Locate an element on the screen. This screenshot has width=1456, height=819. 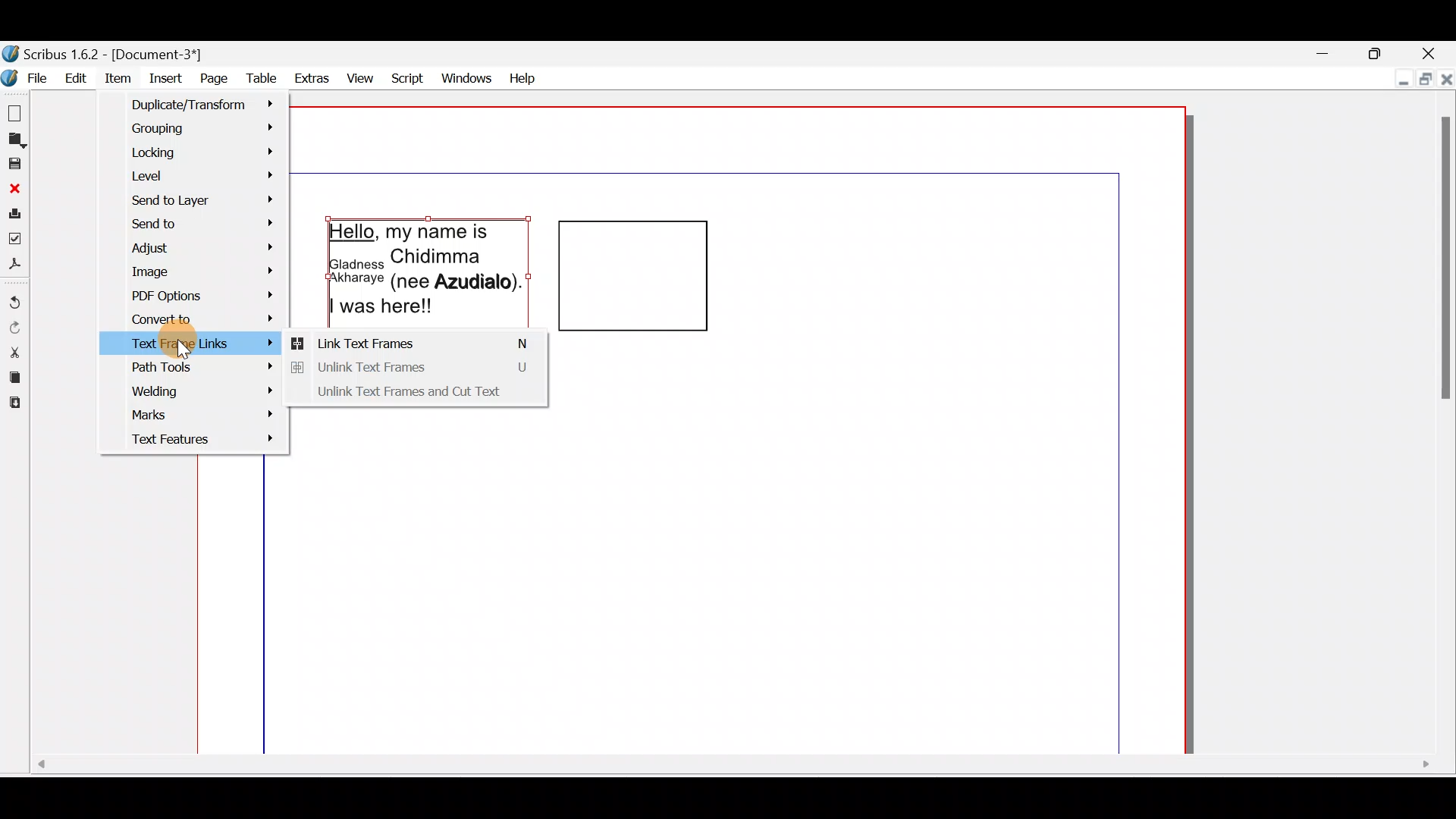
Scroll bar is located at coordinates (730, 771).